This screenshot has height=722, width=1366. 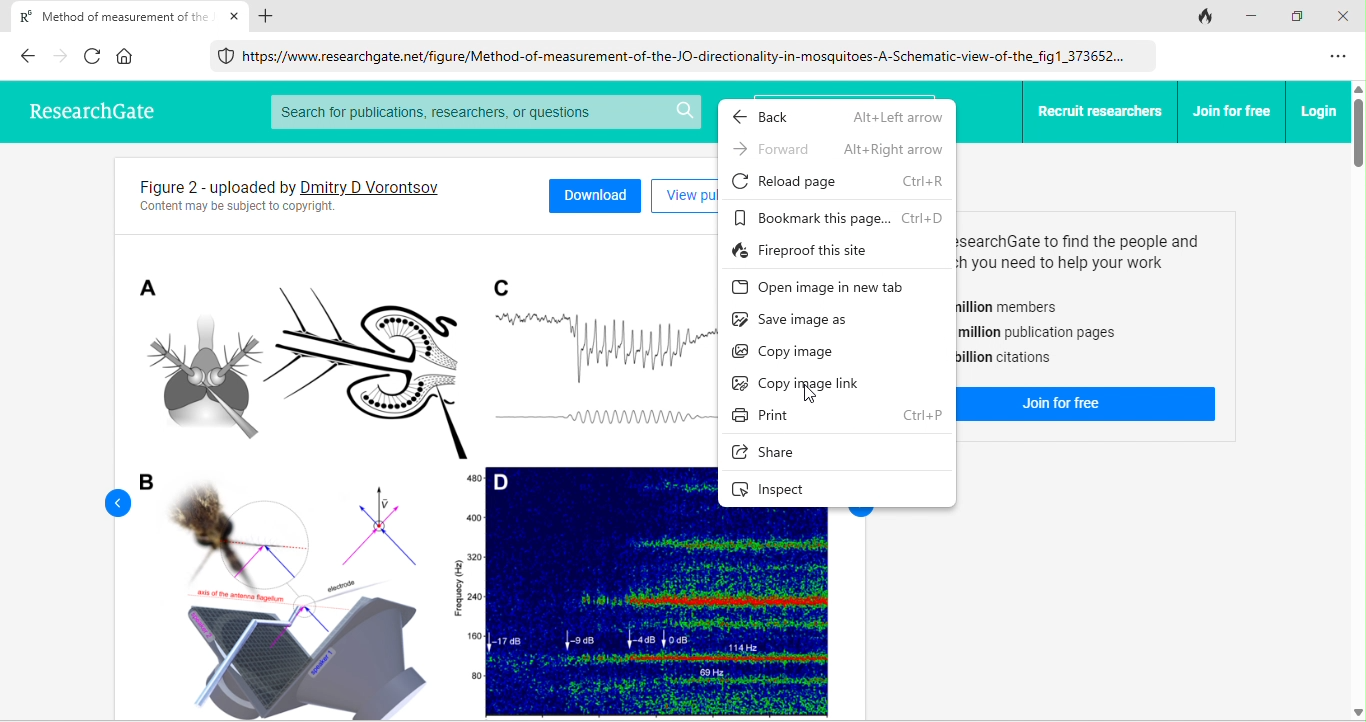 What do you see at coordinates (781, 455) in the screenshot?
I see `share` at bounding box center [781, 455].